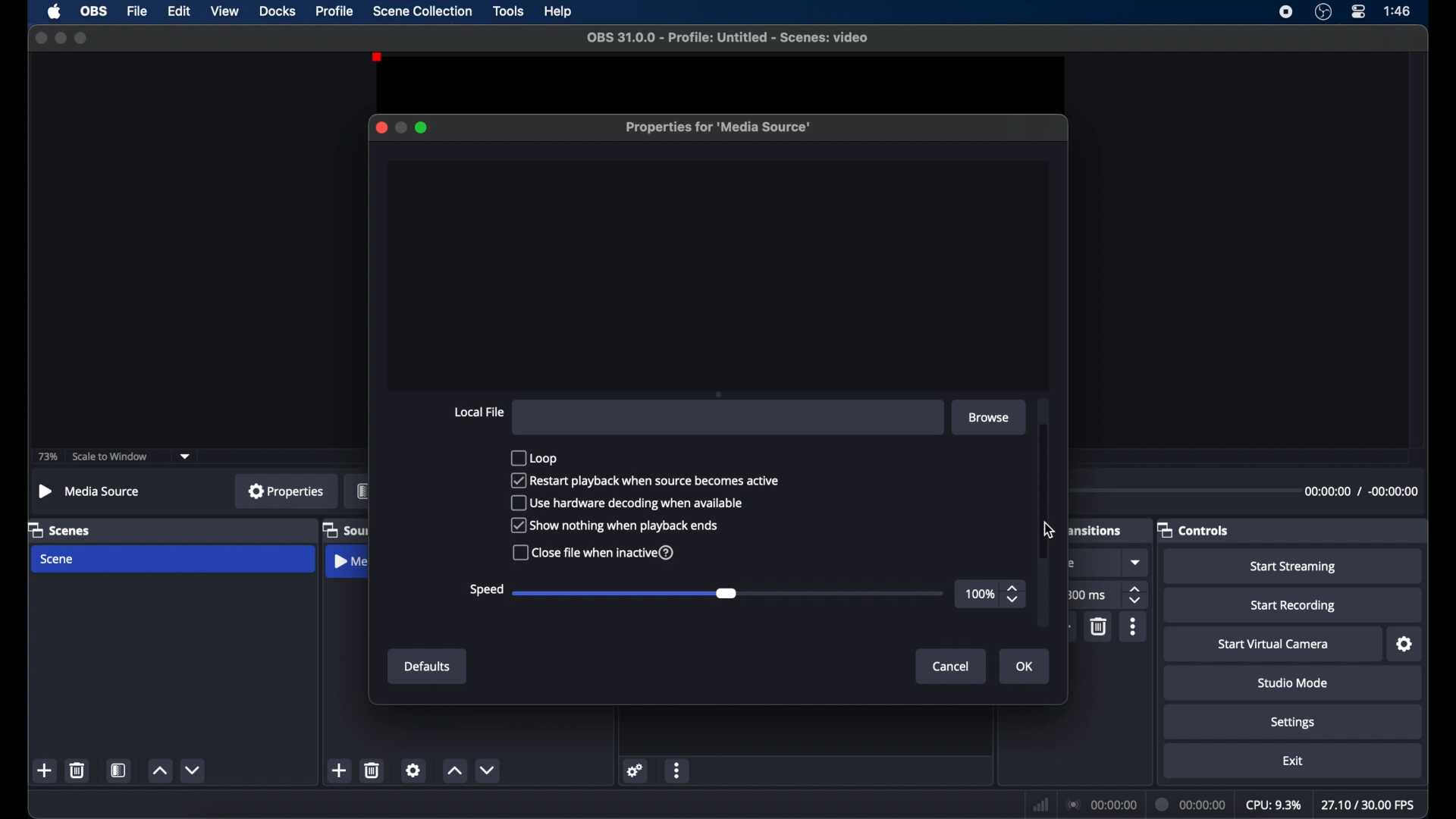  Describe the element at coordinates (1370, 805) in the screenshot. I see `fps` at that location.